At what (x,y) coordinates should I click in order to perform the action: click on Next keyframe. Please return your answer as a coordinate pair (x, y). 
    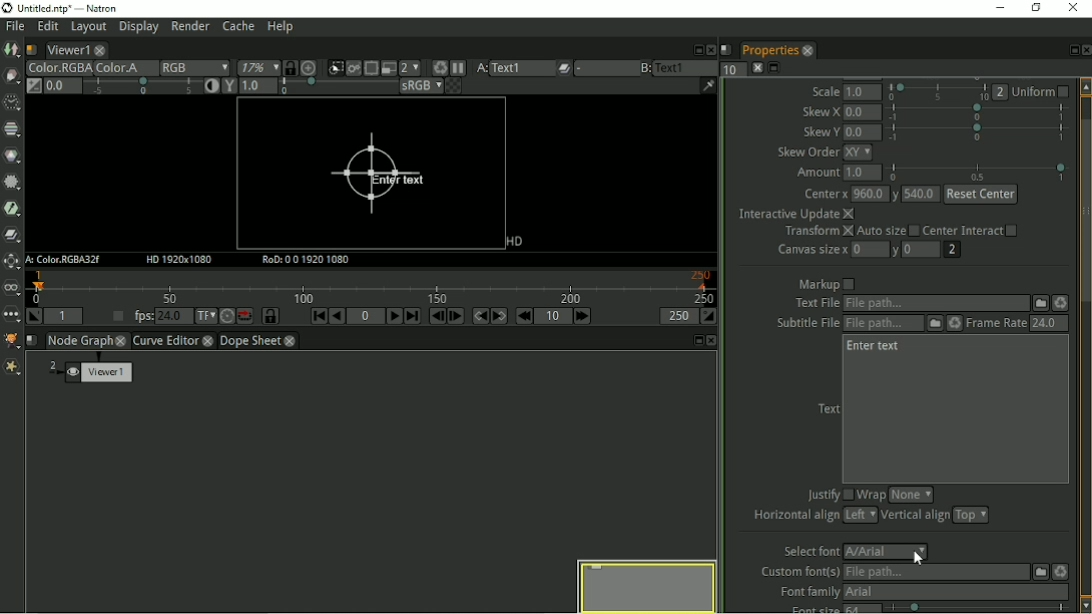
    Looking at the image, I should click on (500, 316).